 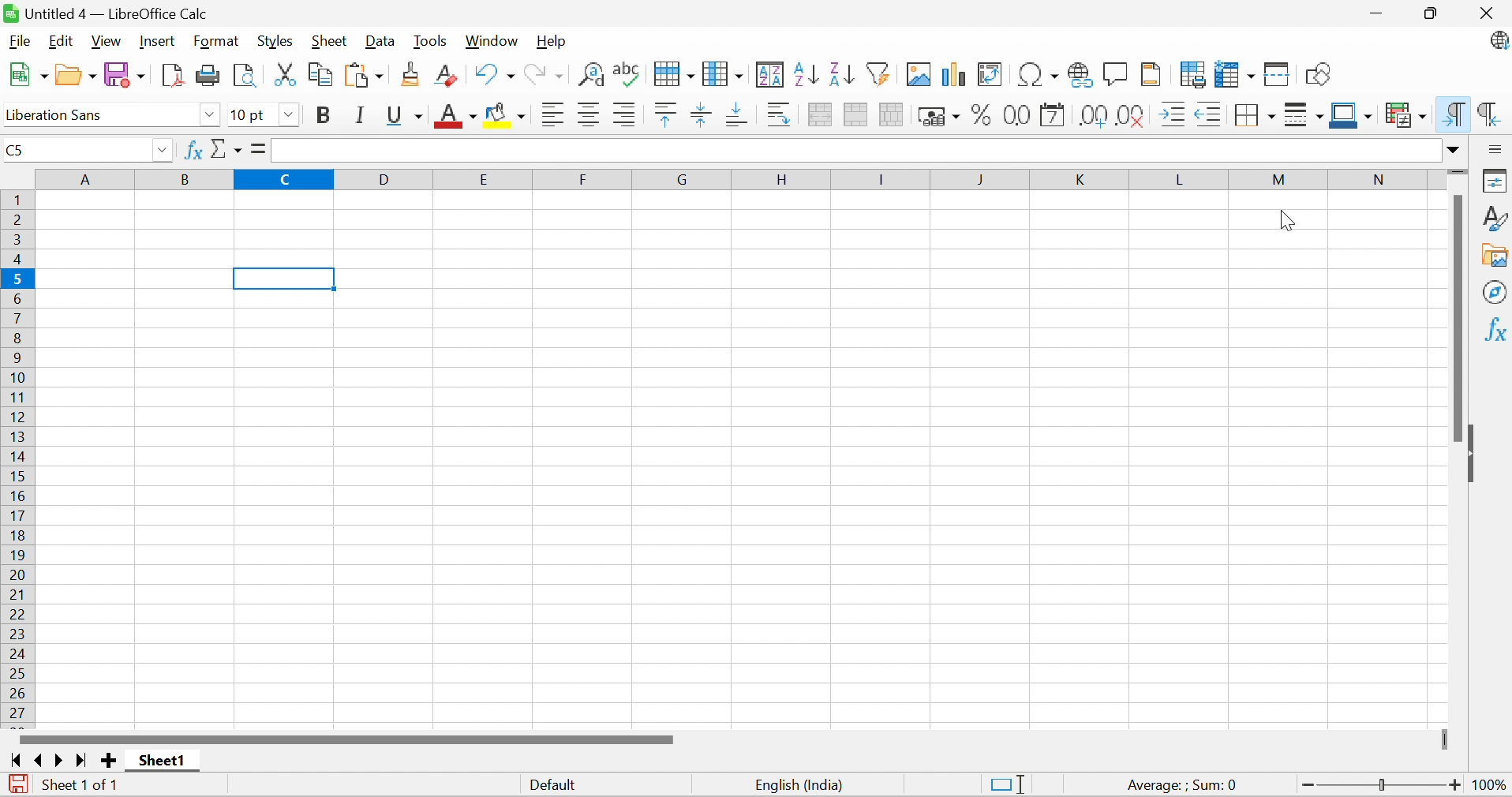 What do you see at coordinates (1249, 118) in the screenshot?
I see `Borders` at bounding box center [1249, 118].